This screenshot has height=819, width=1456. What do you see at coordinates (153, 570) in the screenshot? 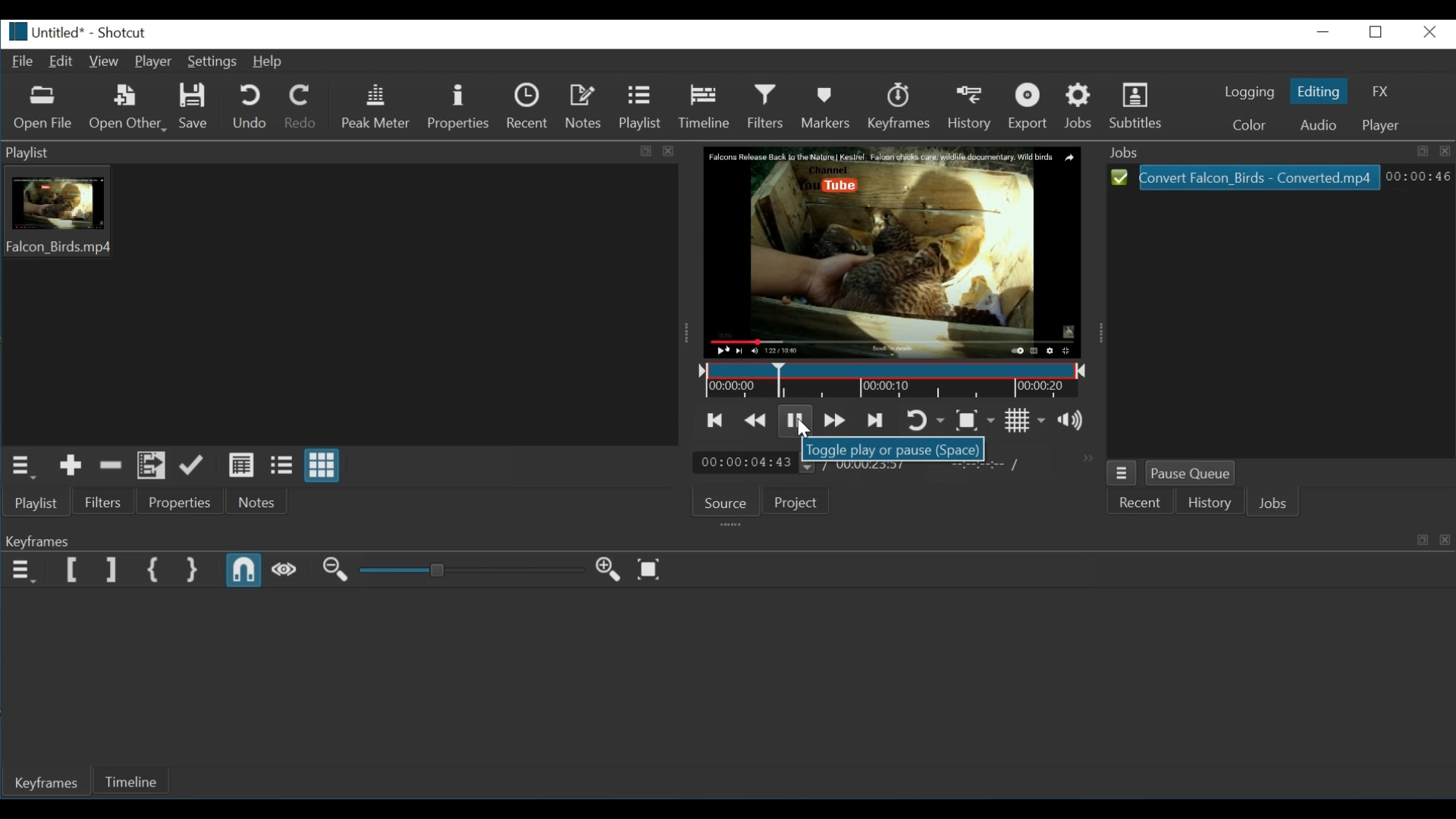
I see `Set First Simple Keyframe` at bounding box center [153, 570].